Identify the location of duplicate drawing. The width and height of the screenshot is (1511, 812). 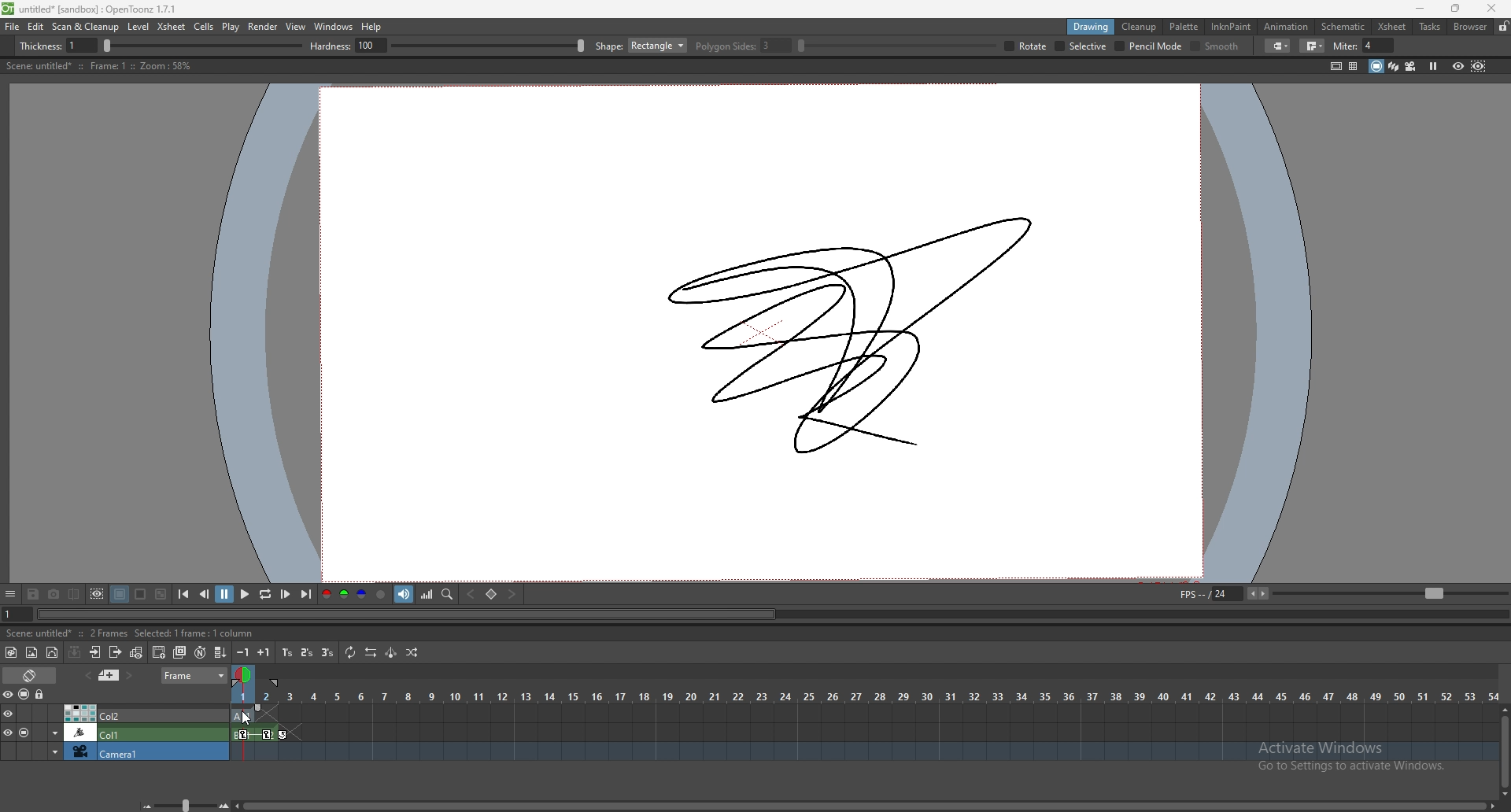
(181, 652).